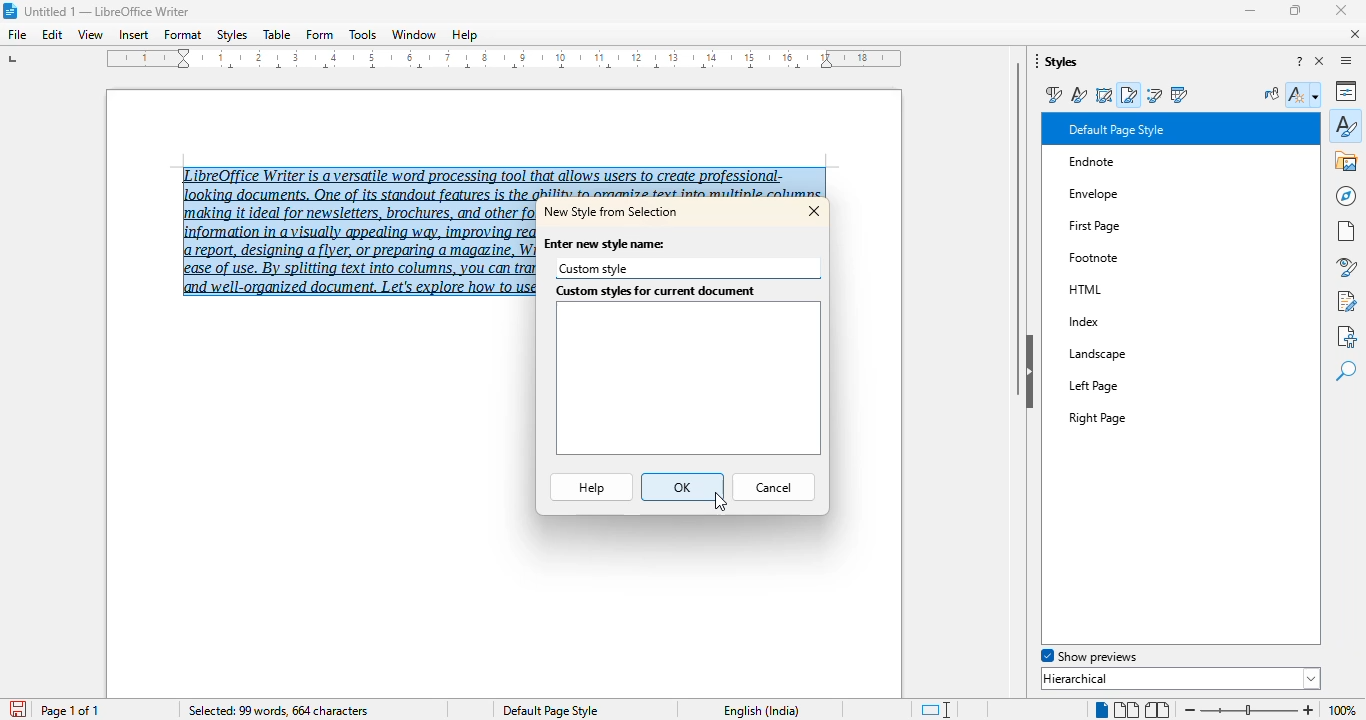 The image size is (1366, 720). What do you see at coordinates (1344, 300) in the screenshot?
I see `manage changes` at bounding box center [1344, 300].